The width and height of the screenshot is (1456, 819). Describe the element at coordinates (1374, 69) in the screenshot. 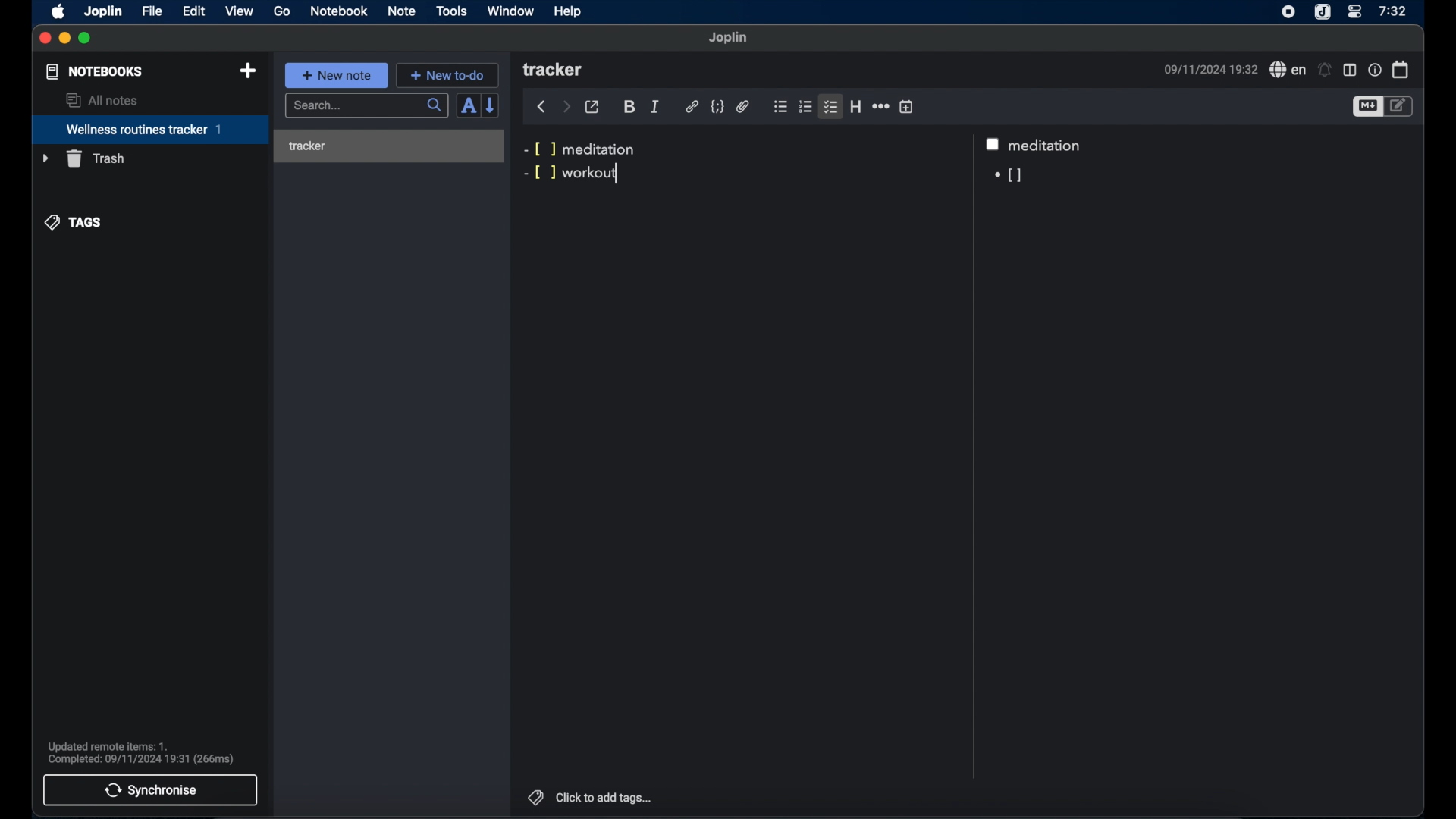

I see `note properties` at that location.